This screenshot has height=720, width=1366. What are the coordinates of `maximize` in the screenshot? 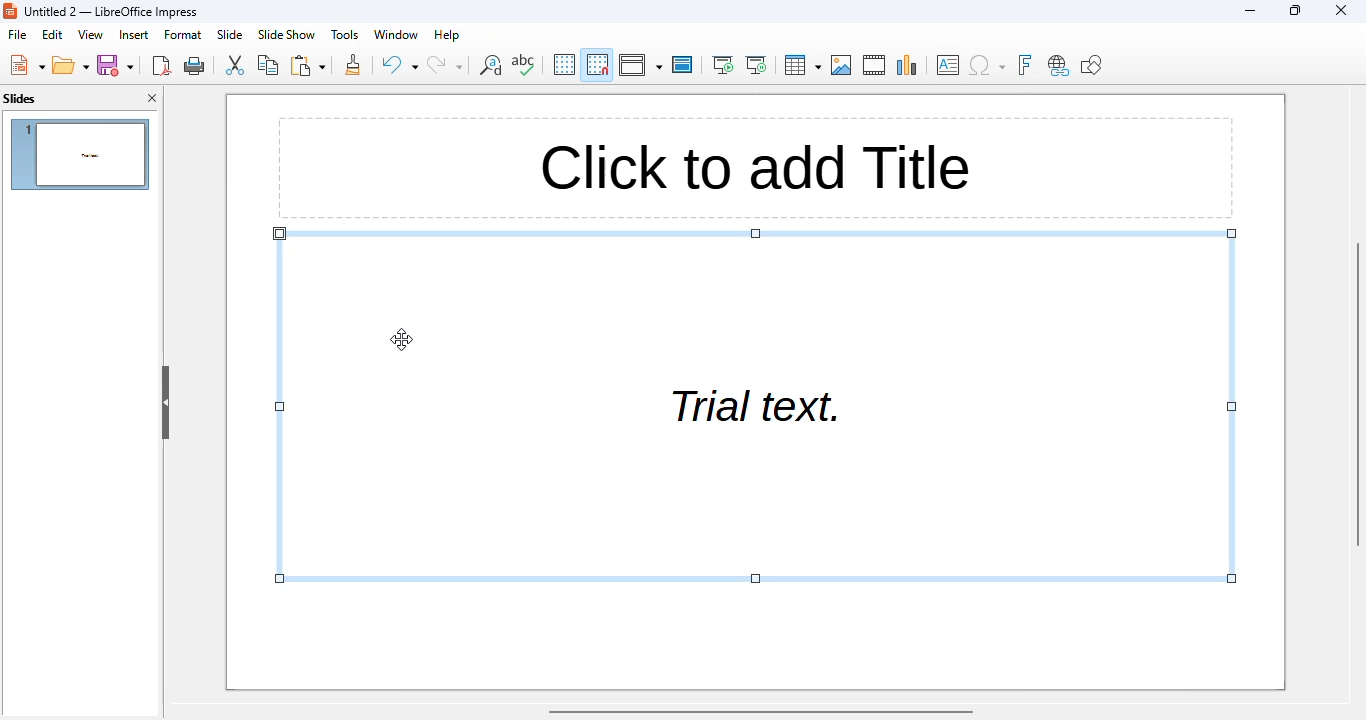 It's located at (1297, 10).